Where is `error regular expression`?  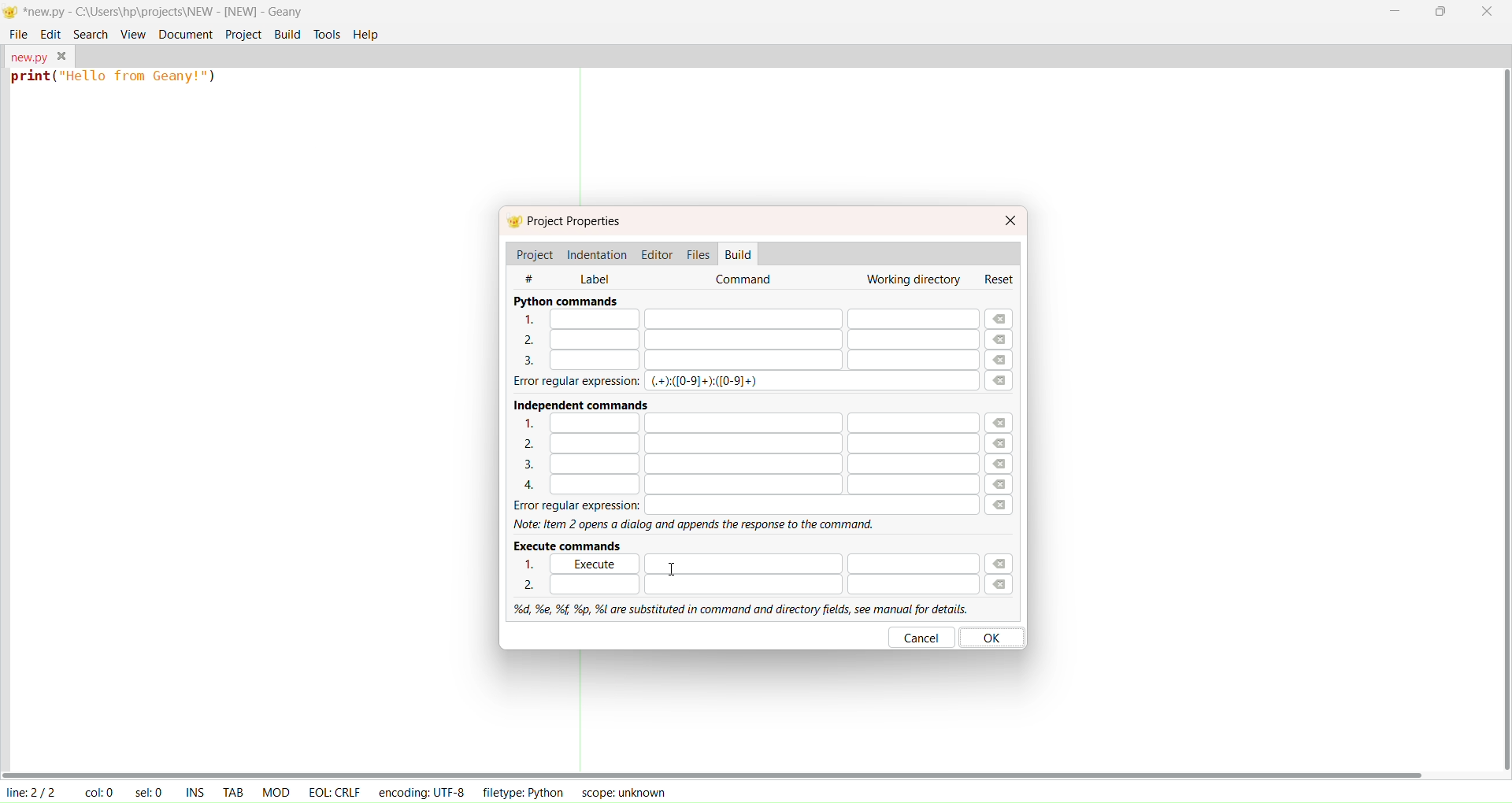 error regular expression is located at coordinates (737, 505).